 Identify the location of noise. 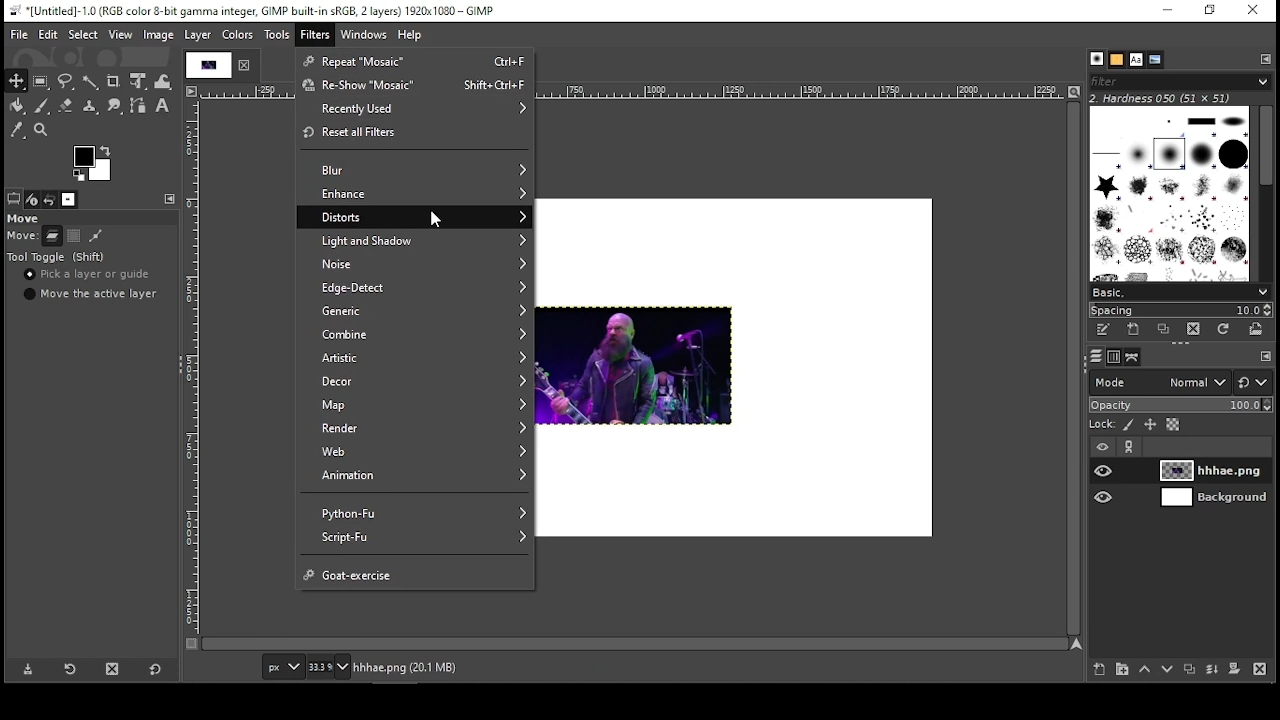
(418, 261).